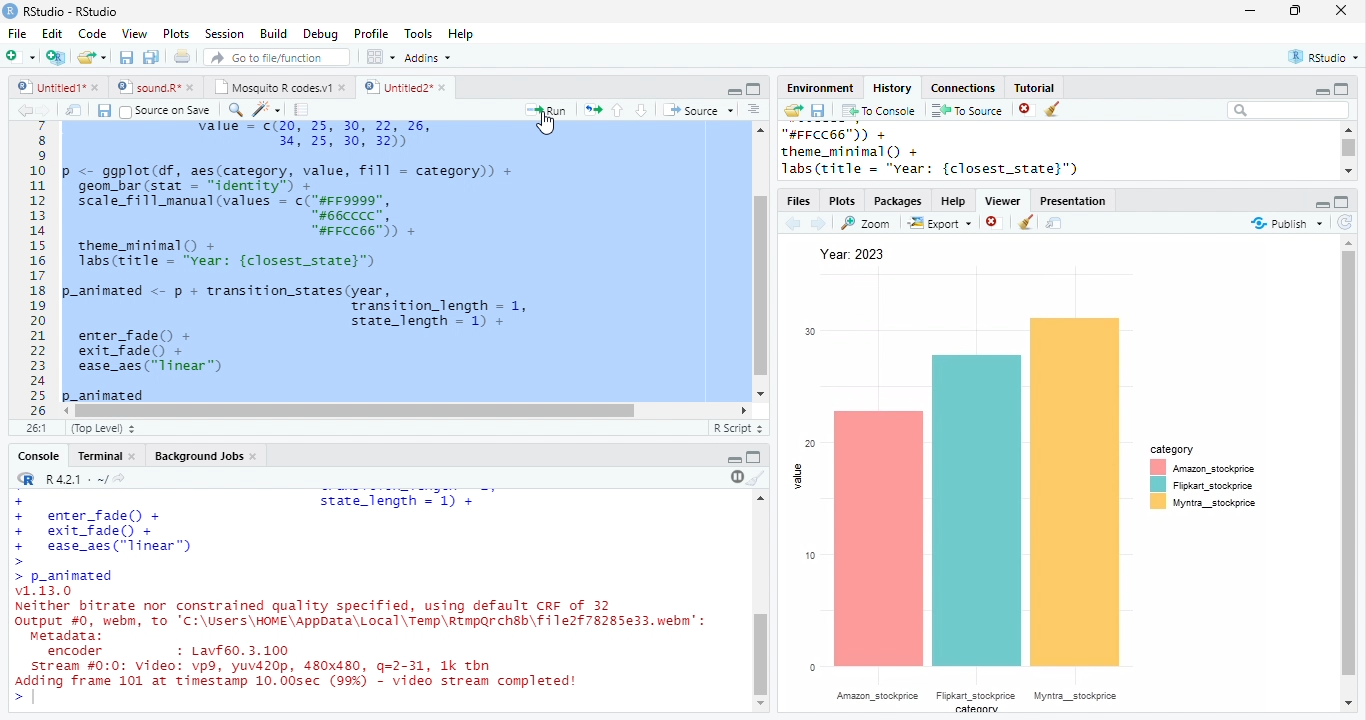  Describe the element at coordinates (978, 696) in the screenshot. I see `category items` at that location.